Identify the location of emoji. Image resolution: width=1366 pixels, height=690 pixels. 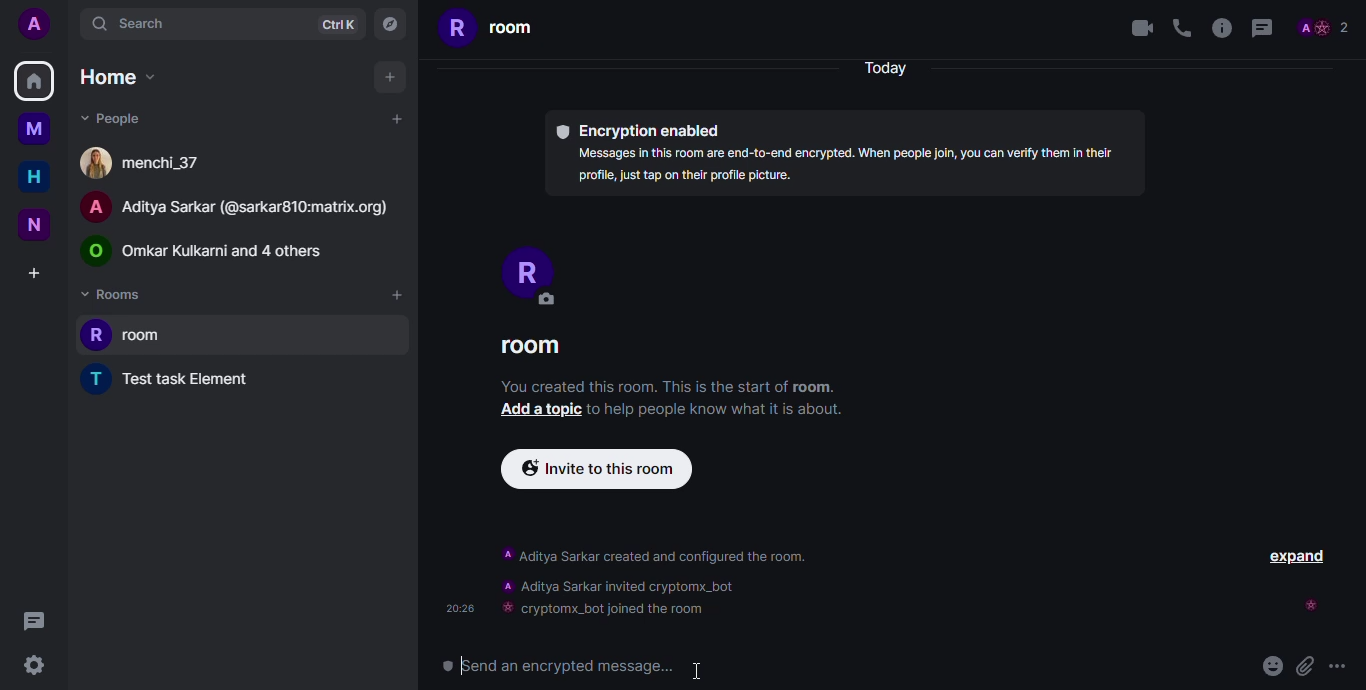
(1268, 668).